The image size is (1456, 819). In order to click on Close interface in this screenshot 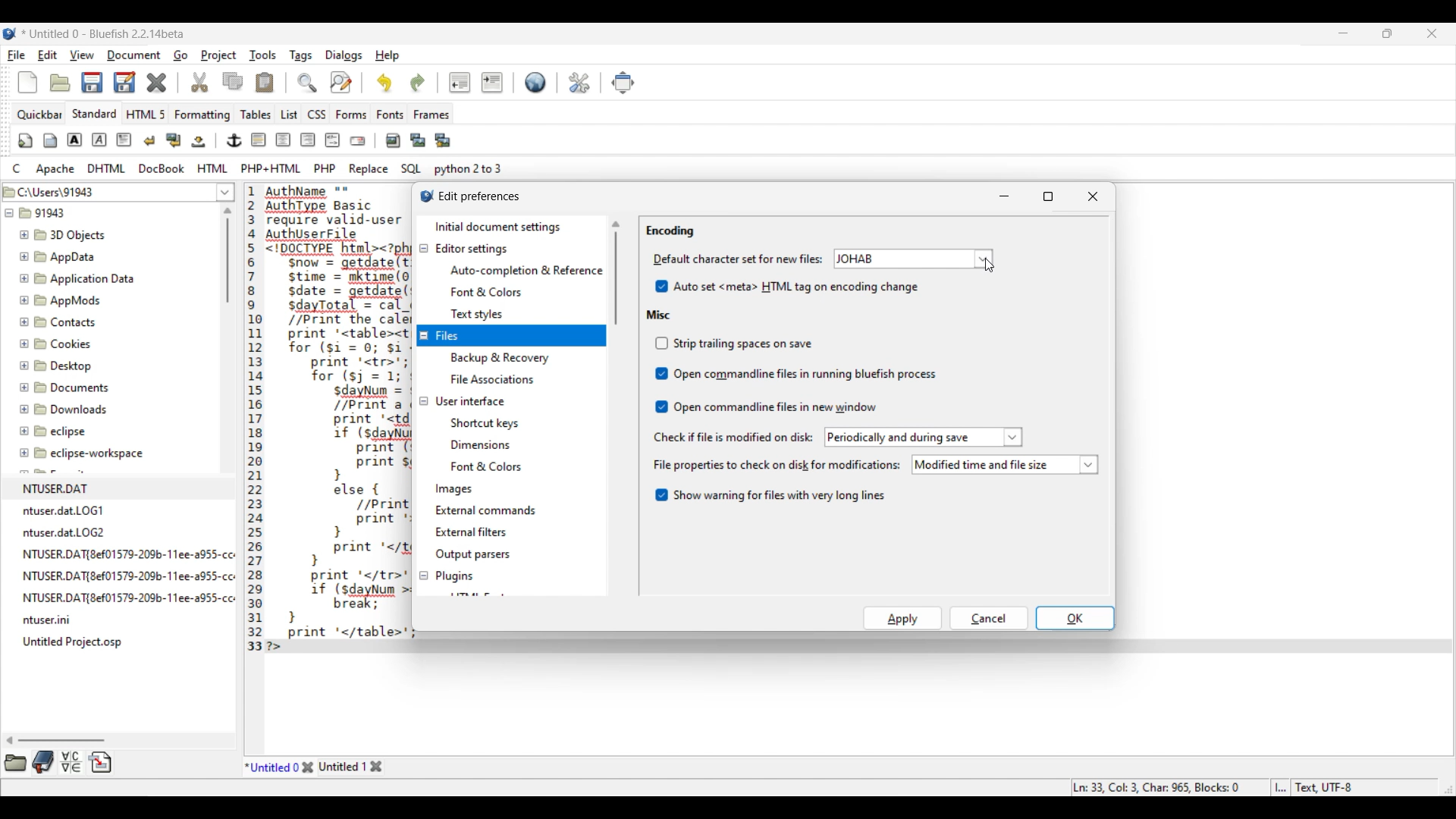, I will do `click(1432, 33)`.